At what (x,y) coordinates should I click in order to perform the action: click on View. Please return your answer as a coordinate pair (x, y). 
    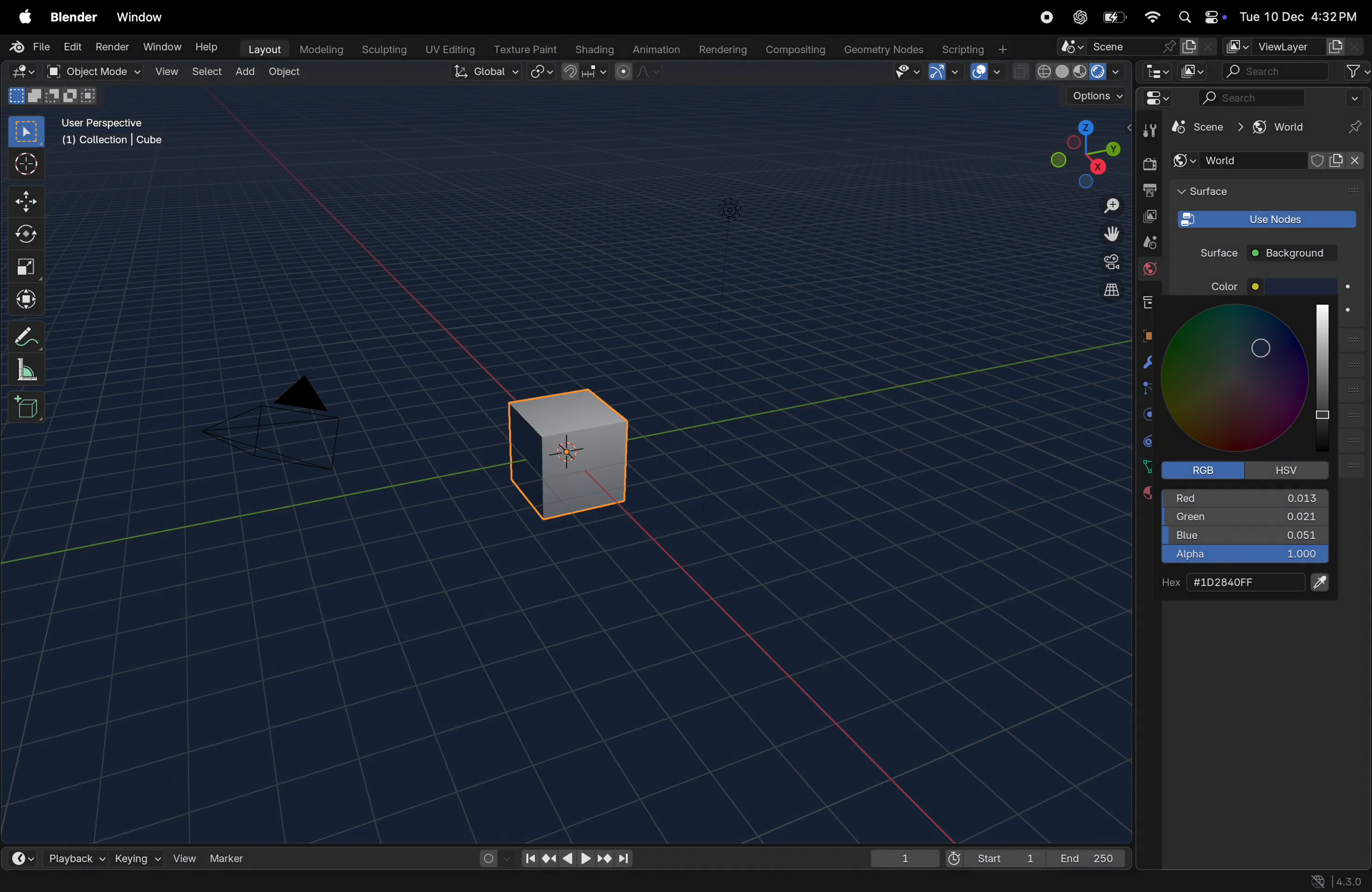
    Looking at the image, I should click on (164, 71).